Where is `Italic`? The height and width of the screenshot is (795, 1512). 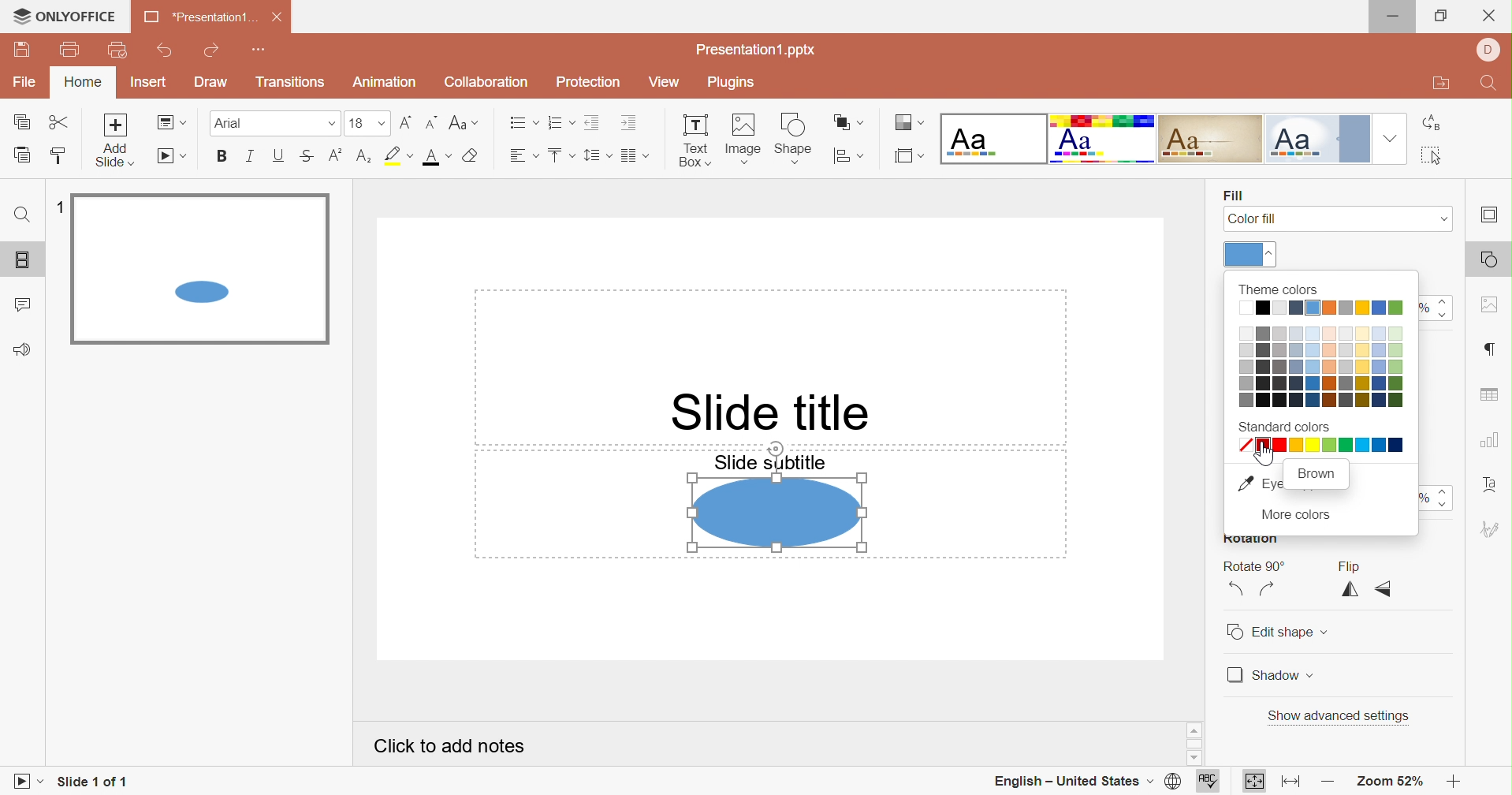 Italic is located at coordinates (251, 156).